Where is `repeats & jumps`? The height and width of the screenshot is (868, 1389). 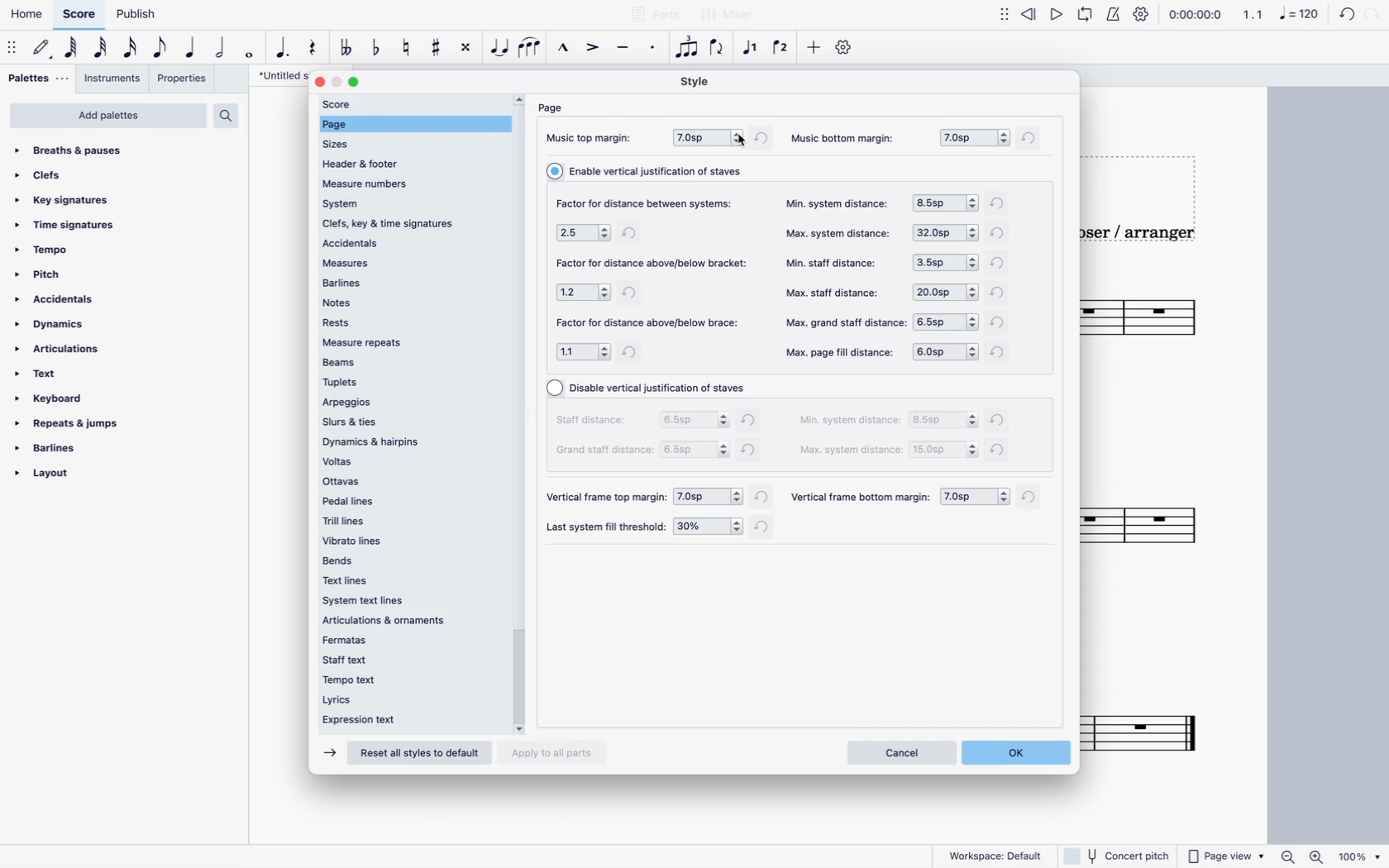 repeats & jumps is located at coordinates (74, 423).